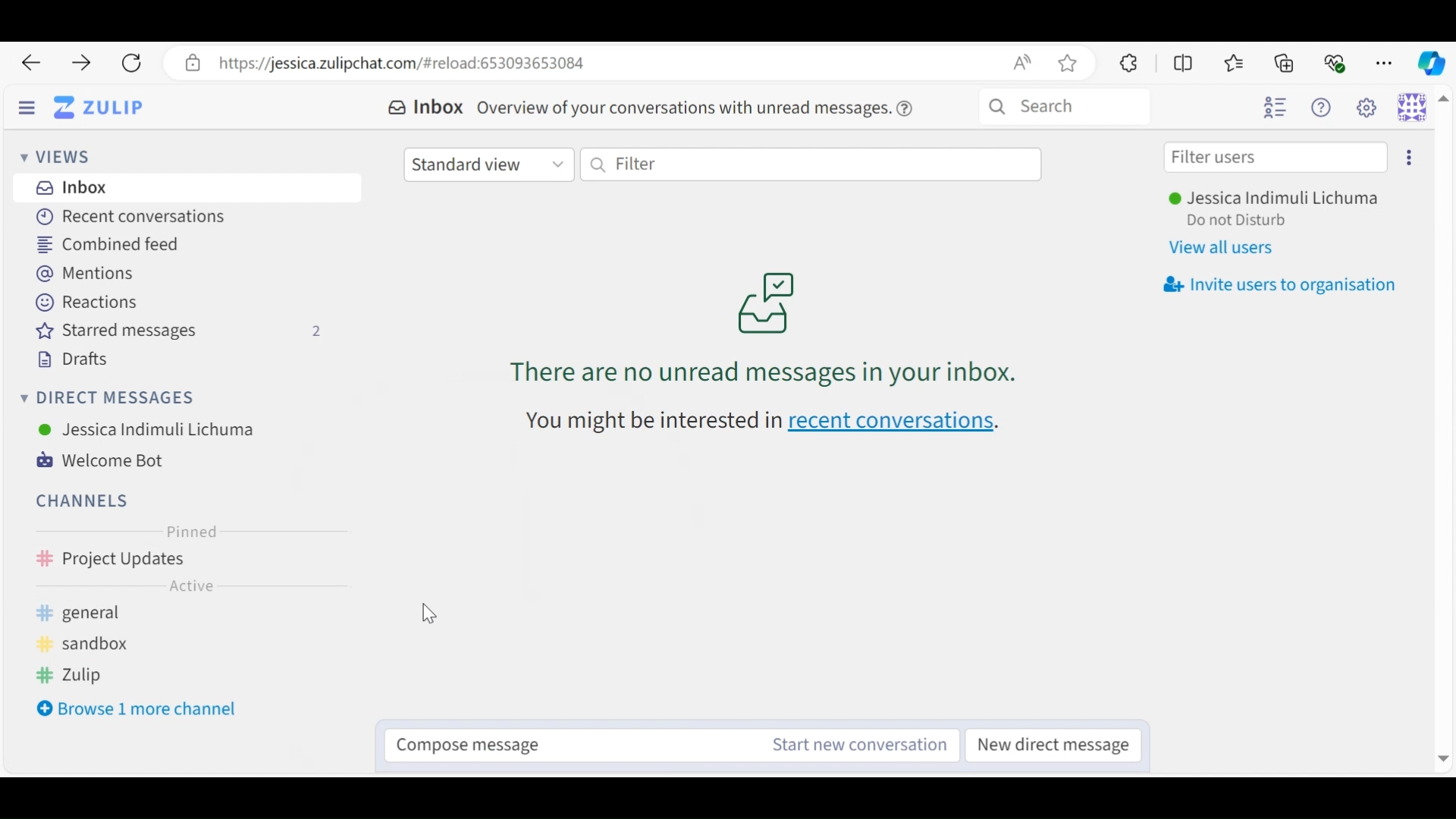 The image size is (1456, 819). Describe the element at coordinates (71, 187) in the screenshot. I see `Inbox` at that location.